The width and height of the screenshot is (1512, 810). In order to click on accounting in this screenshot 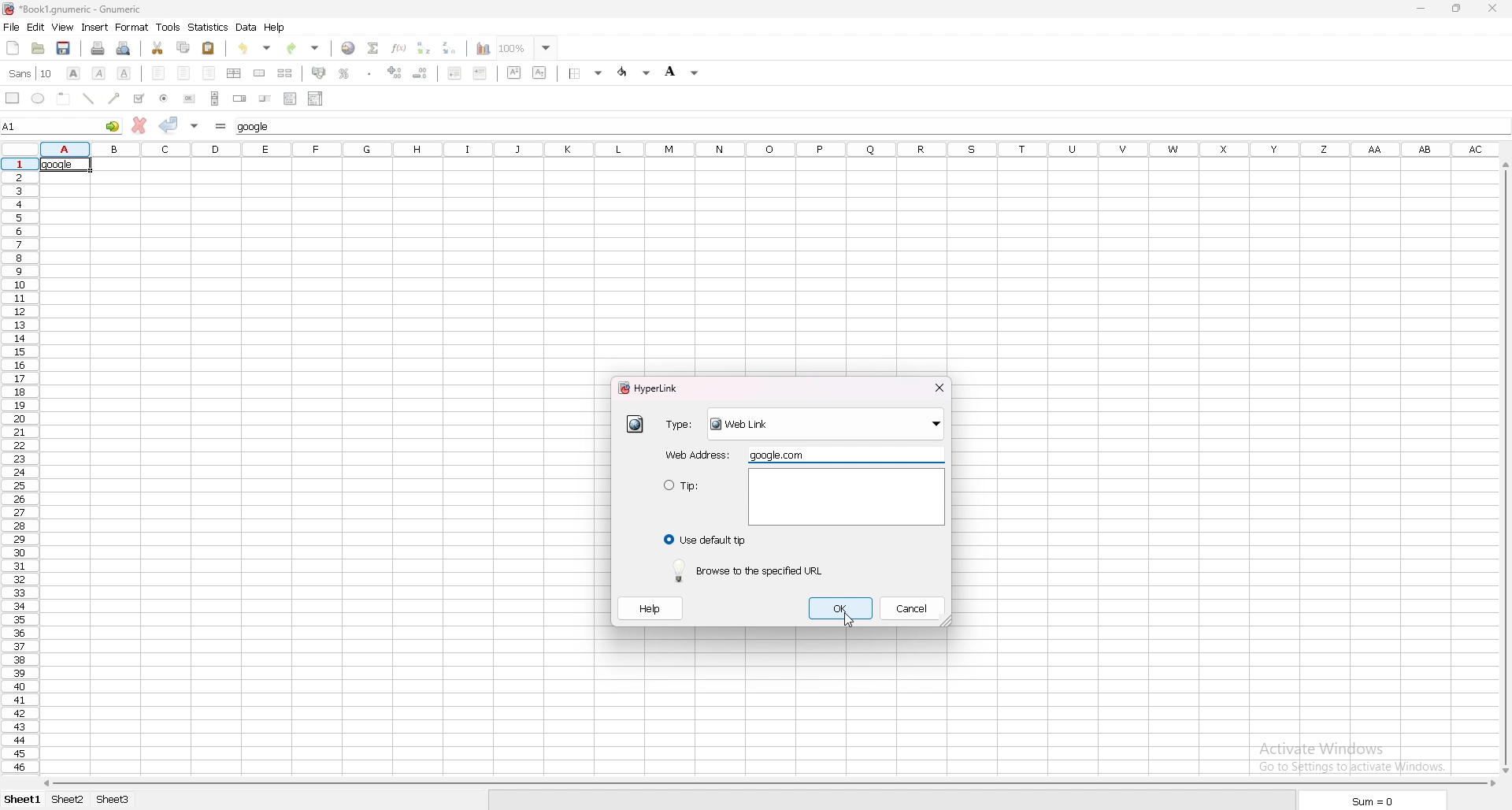, I will do `click(320, 72)`.